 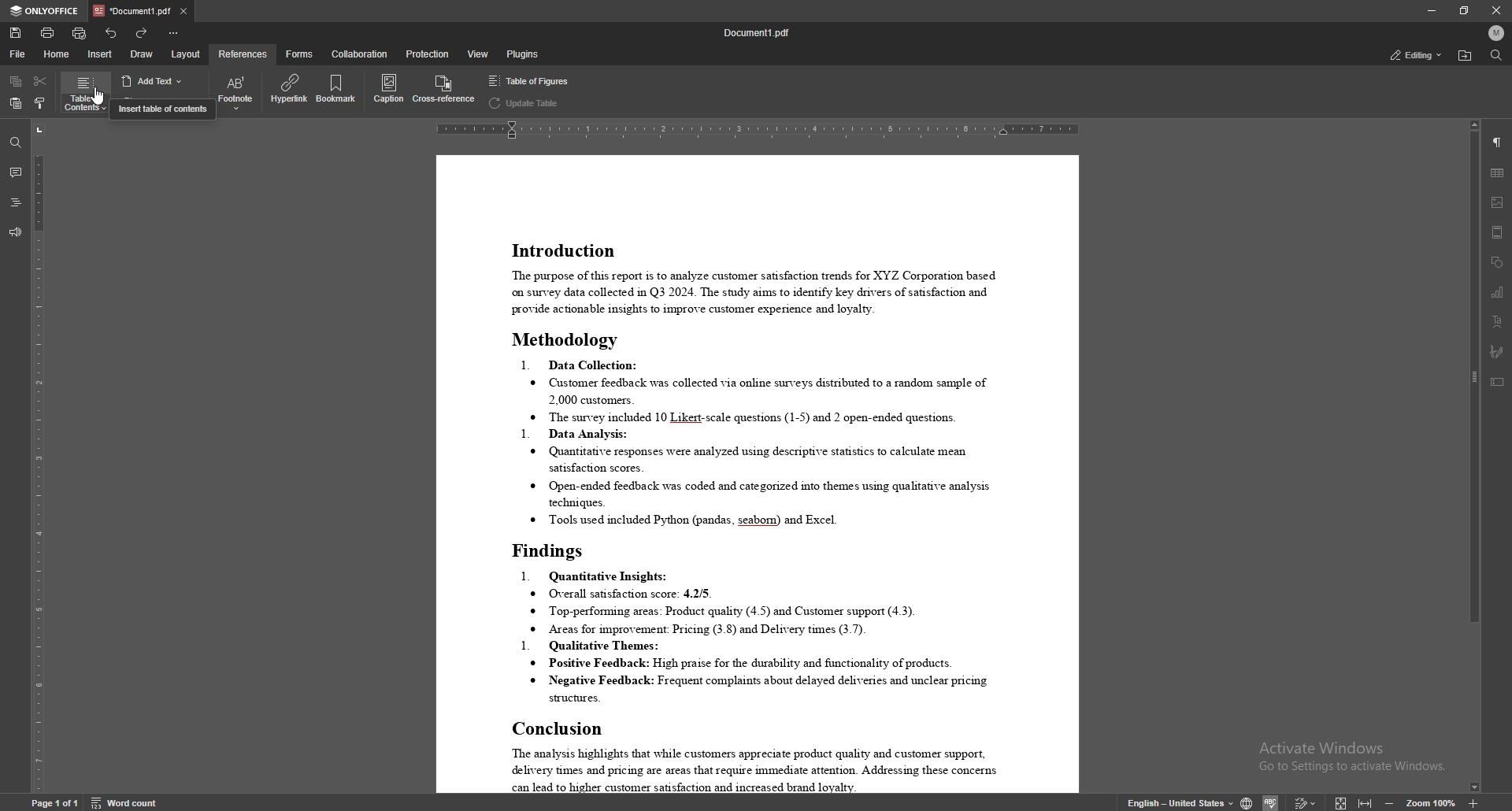 What do you see at coordinates (758, 129) in the screenshot?
I see `horizontal scale` at bounding box center [758, 129].